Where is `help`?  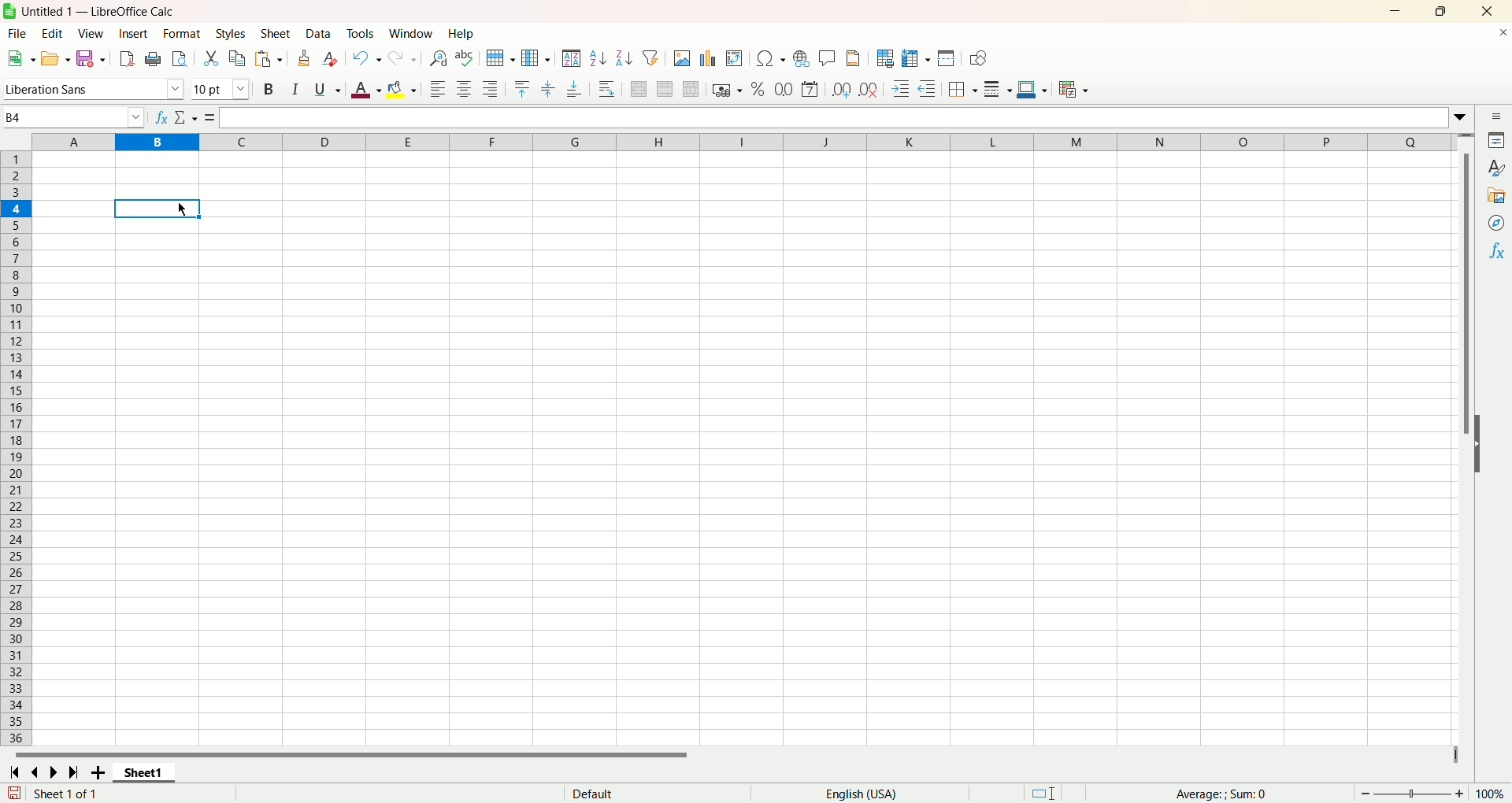
help is located at coordinates (462, 34).